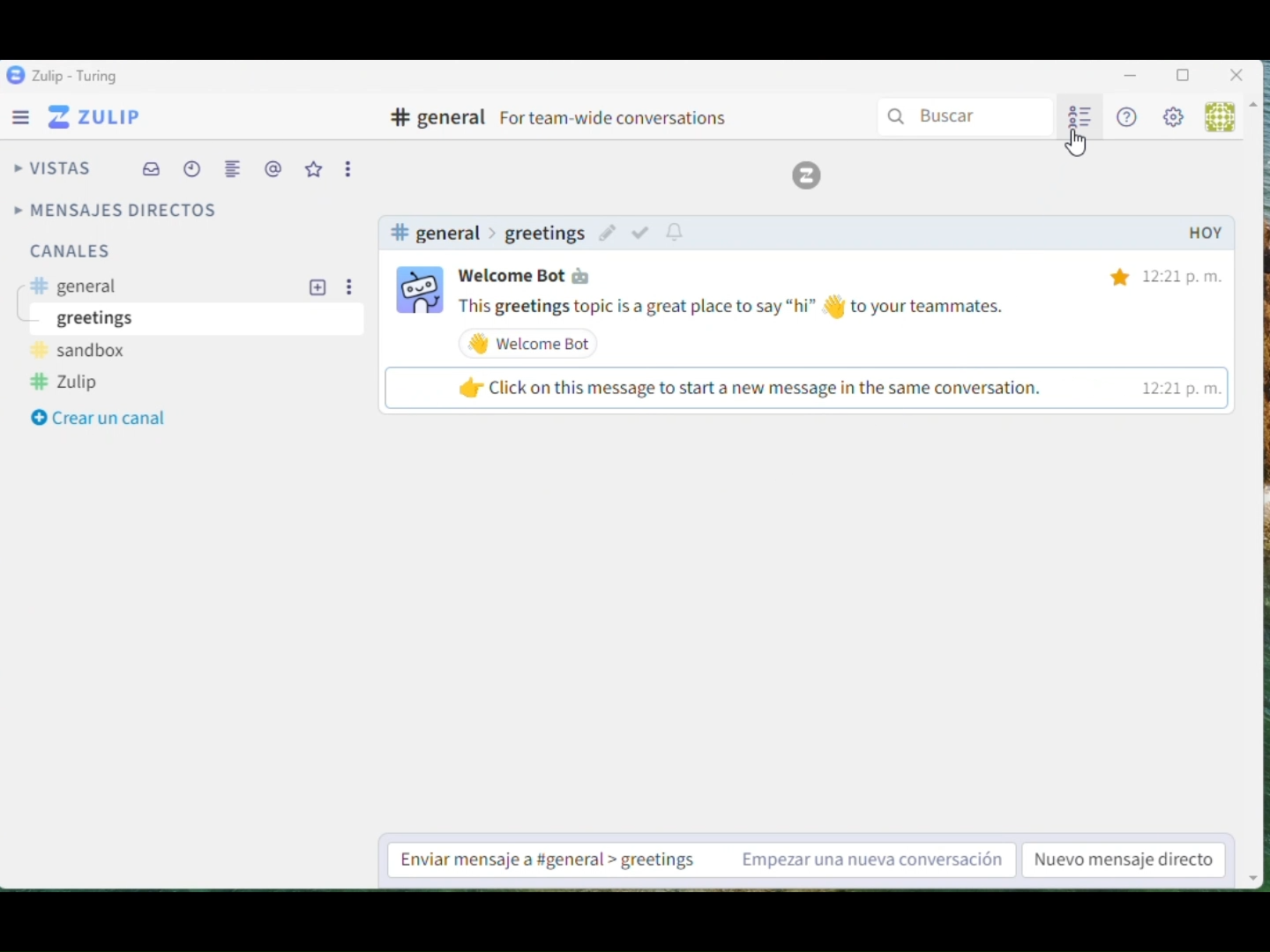  What do you see at coordinates (77, 383) in the screenshot?
I see `zulip` at bounding box center [77, 383].